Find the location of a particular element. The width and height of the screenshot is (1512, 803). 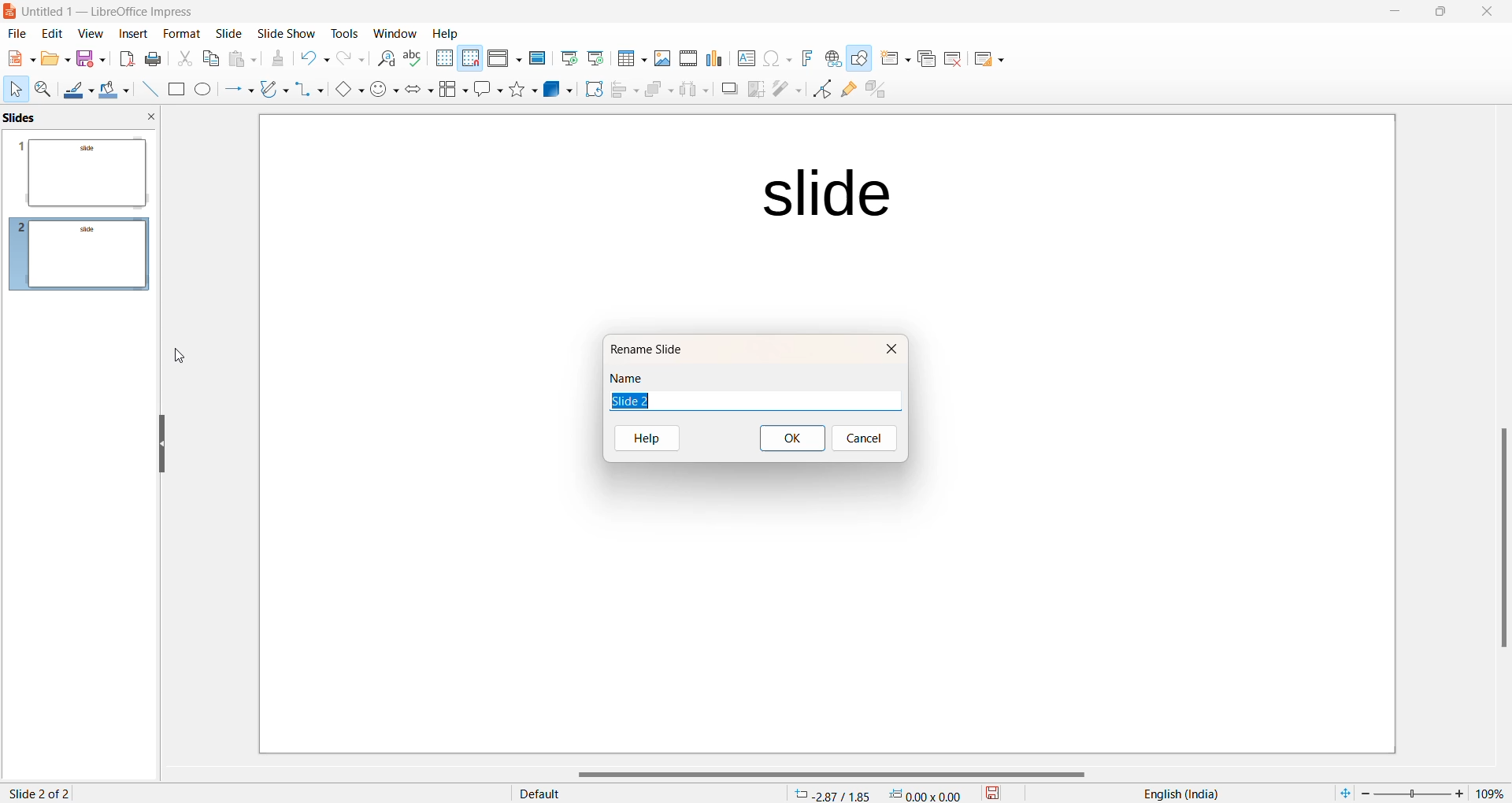

Save option is located at coordinates (91, 59).